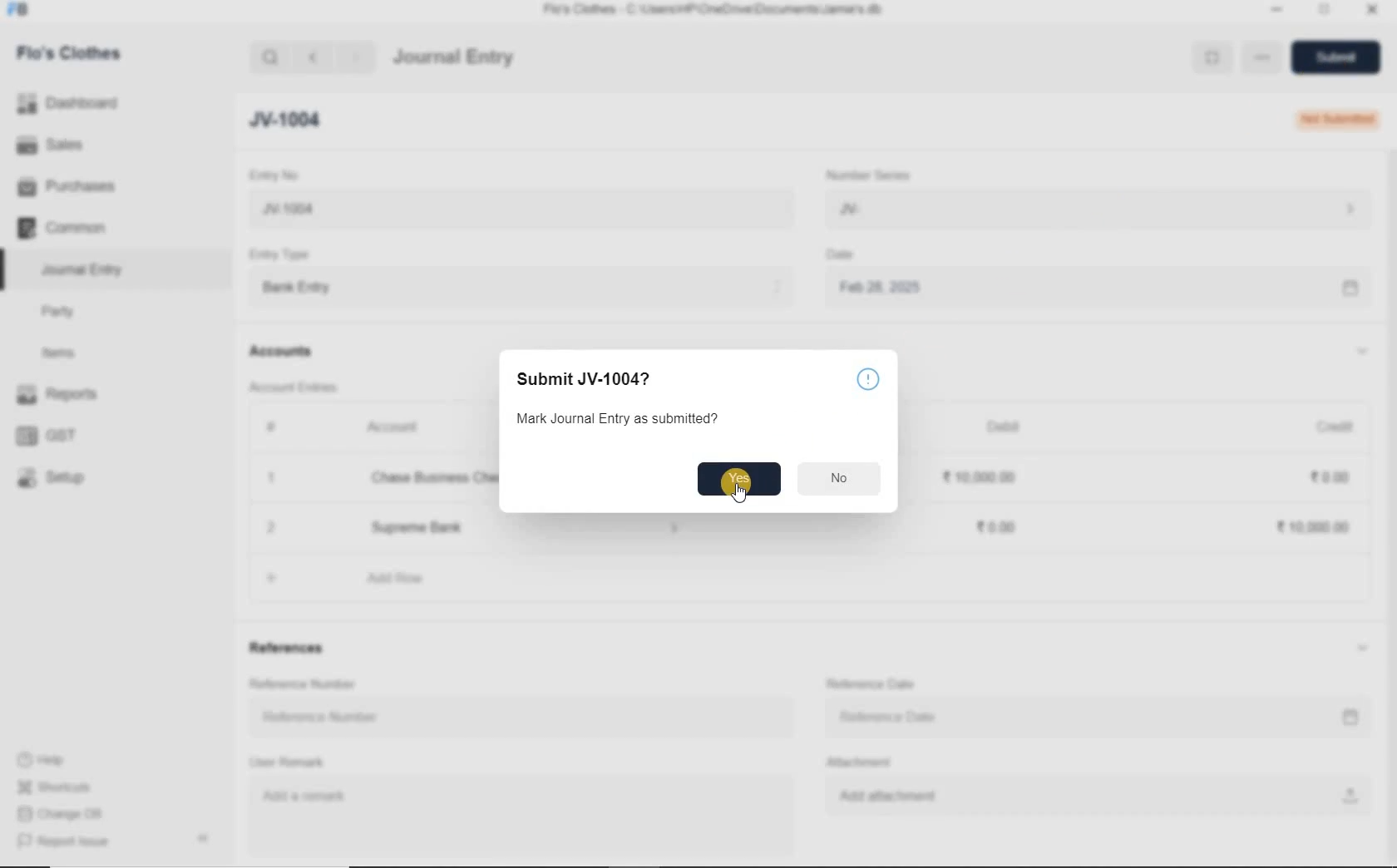 Image resolution: width=1397 pixels, height=868 pixels. Describe the element at coordinates (741, 495) in the screenshot. I see `cursor` at that location.